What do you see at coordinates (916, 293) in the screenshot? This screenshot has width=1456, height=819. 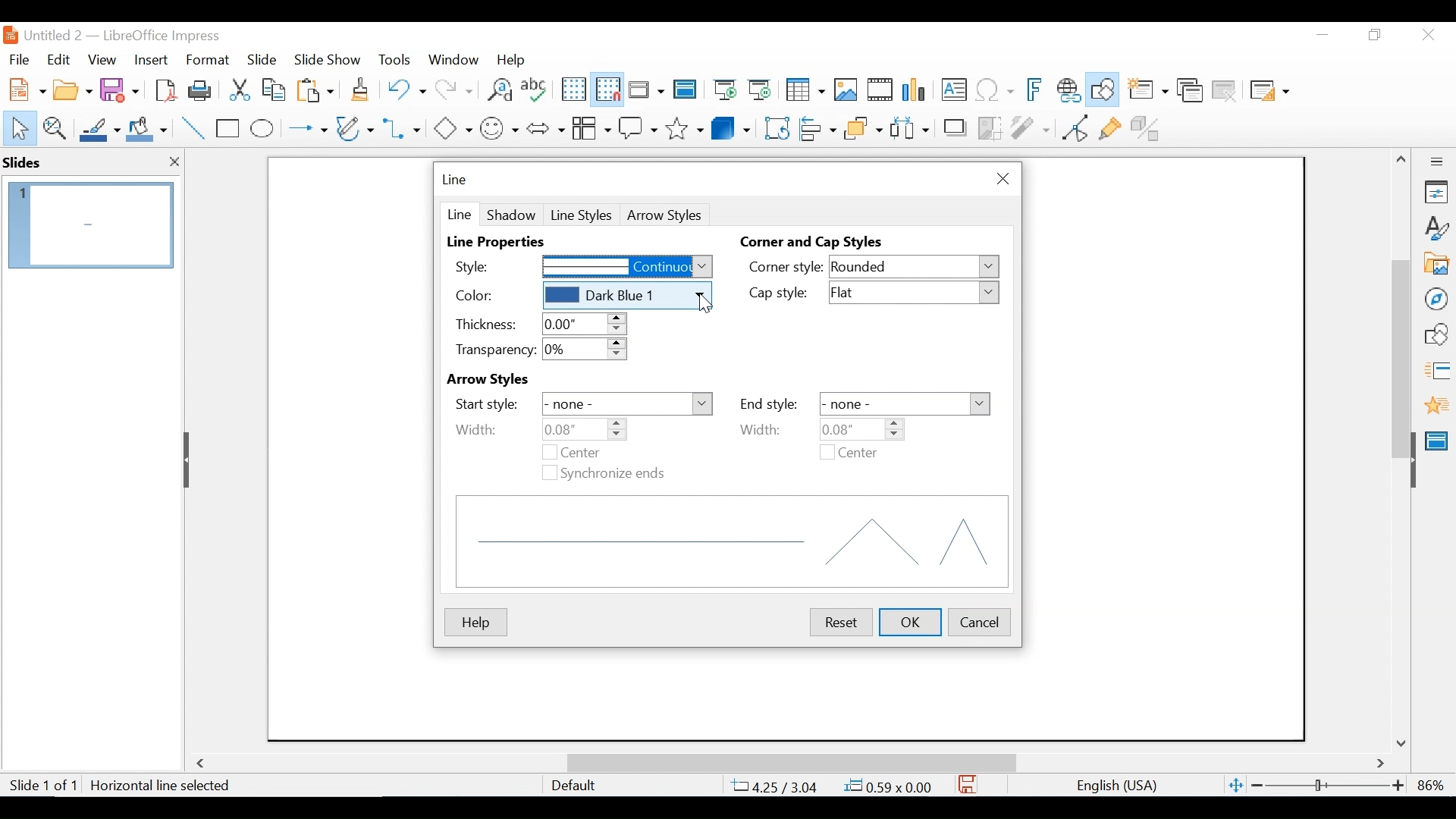 I see `Flat` at bounding box center [916, 293].